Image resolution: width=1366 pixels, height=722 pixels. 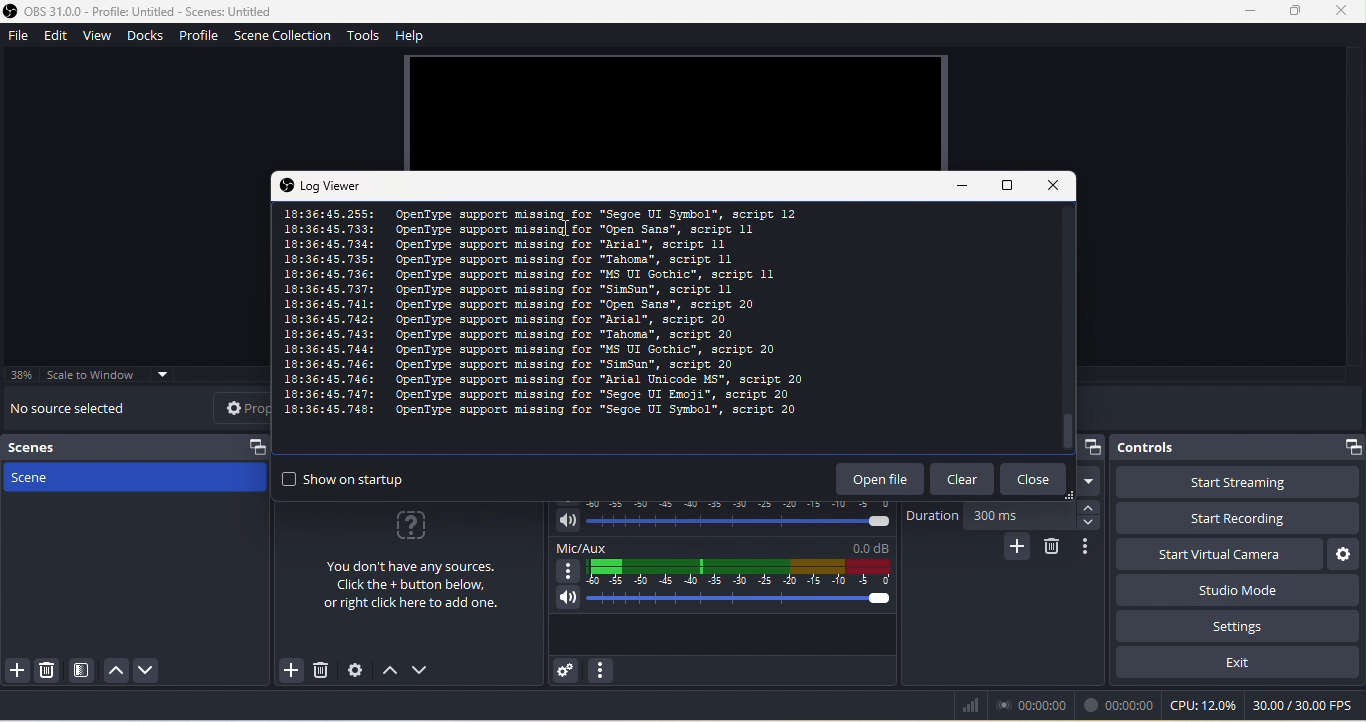 What do you see at coordinates (285, 672) in the screenshot?
I see `add source` at bounding box center [285, 672].